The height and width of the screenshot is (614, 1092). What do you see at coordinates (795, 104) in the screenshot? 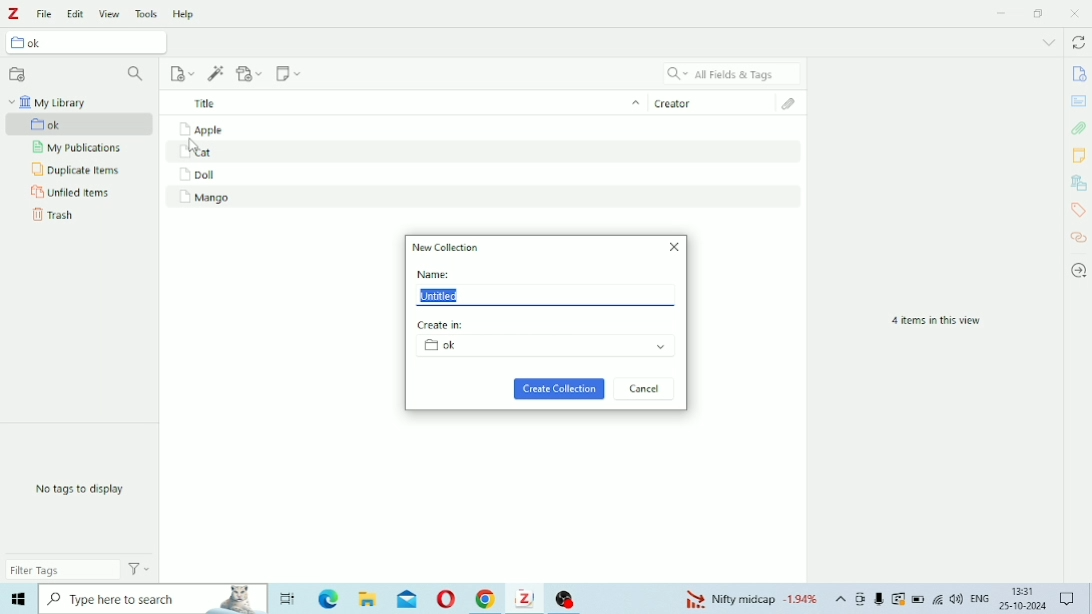
I see `Attachments` at bounding box center [795, 104].